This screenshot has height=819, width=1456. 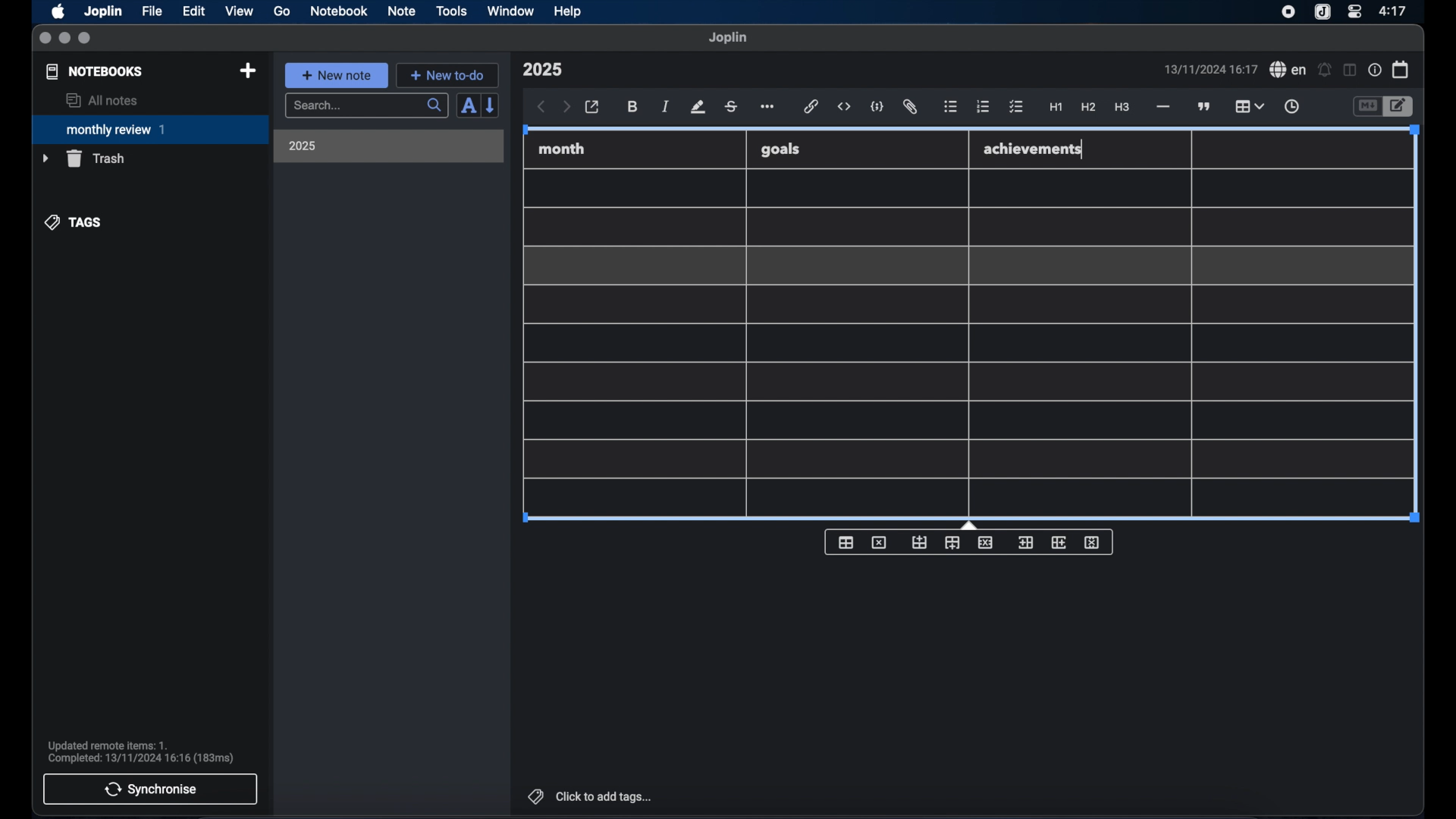 What do you see at coordinates (1059, 542) in the screenshot?
I see `insert column after` at bounding box center [1059, 542].